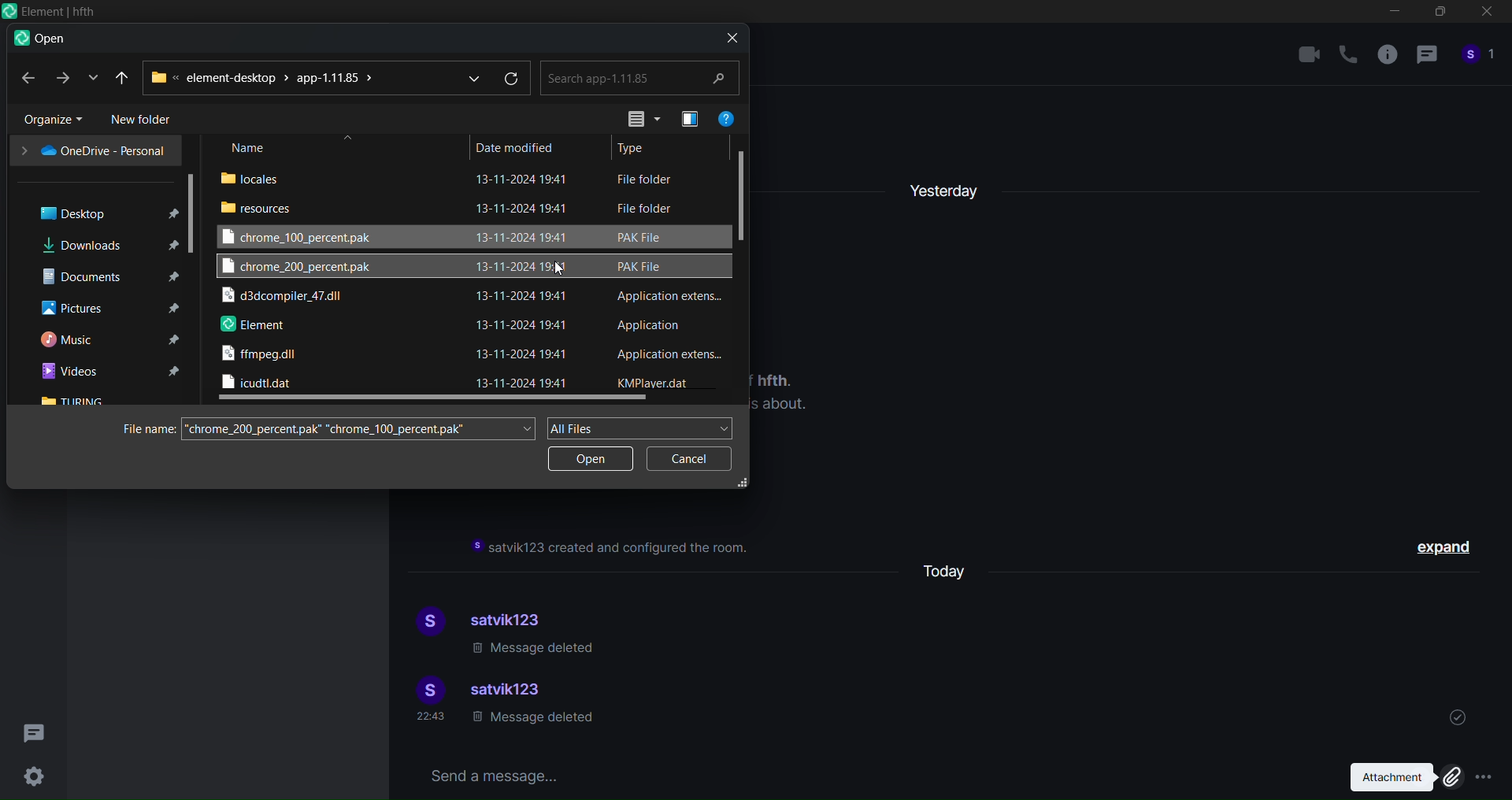  I want to click on icudtl dll, so click(258, 383).